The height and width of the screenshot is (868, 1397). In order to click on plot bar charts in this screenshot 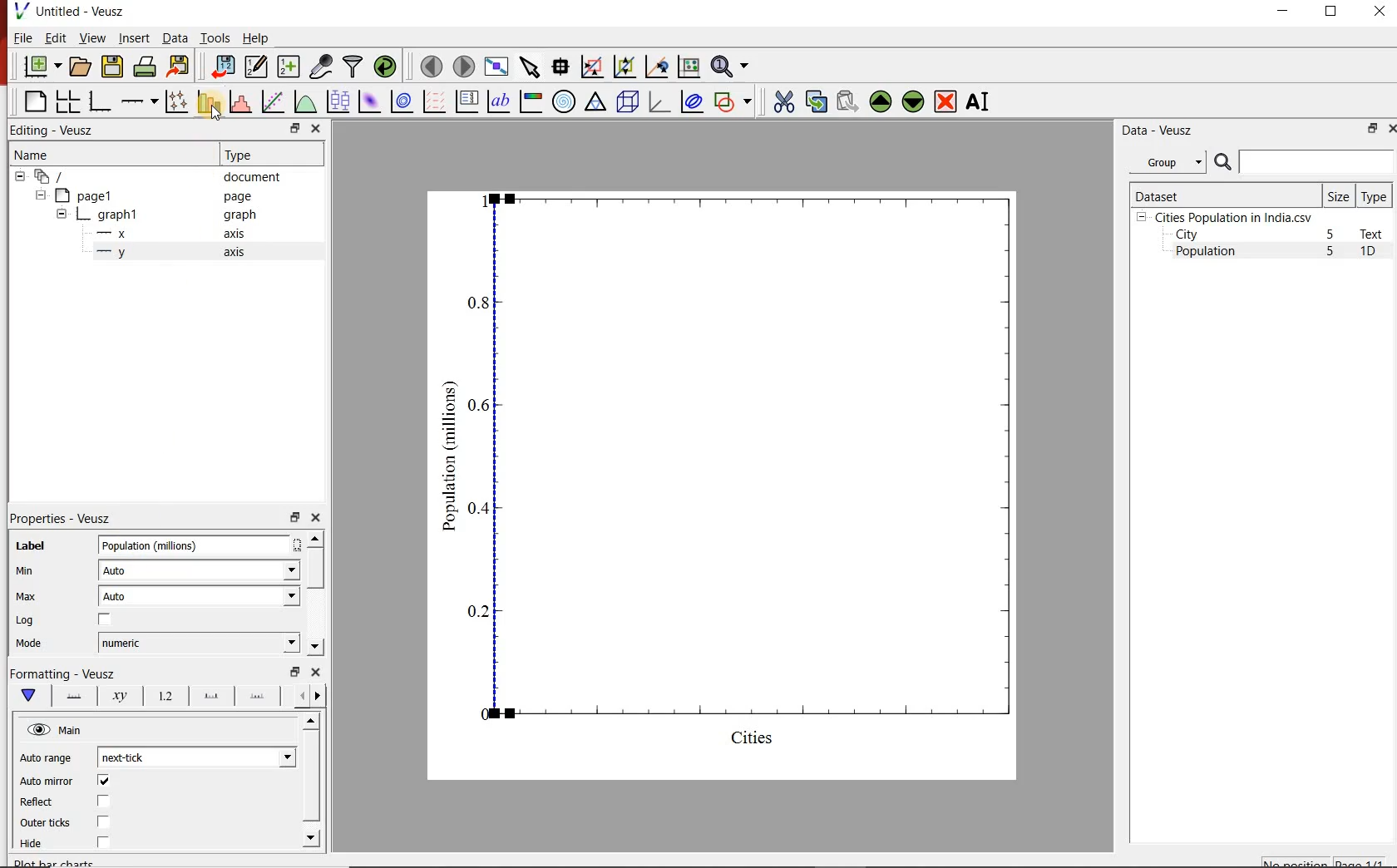, I will do `click(206, 101)`.